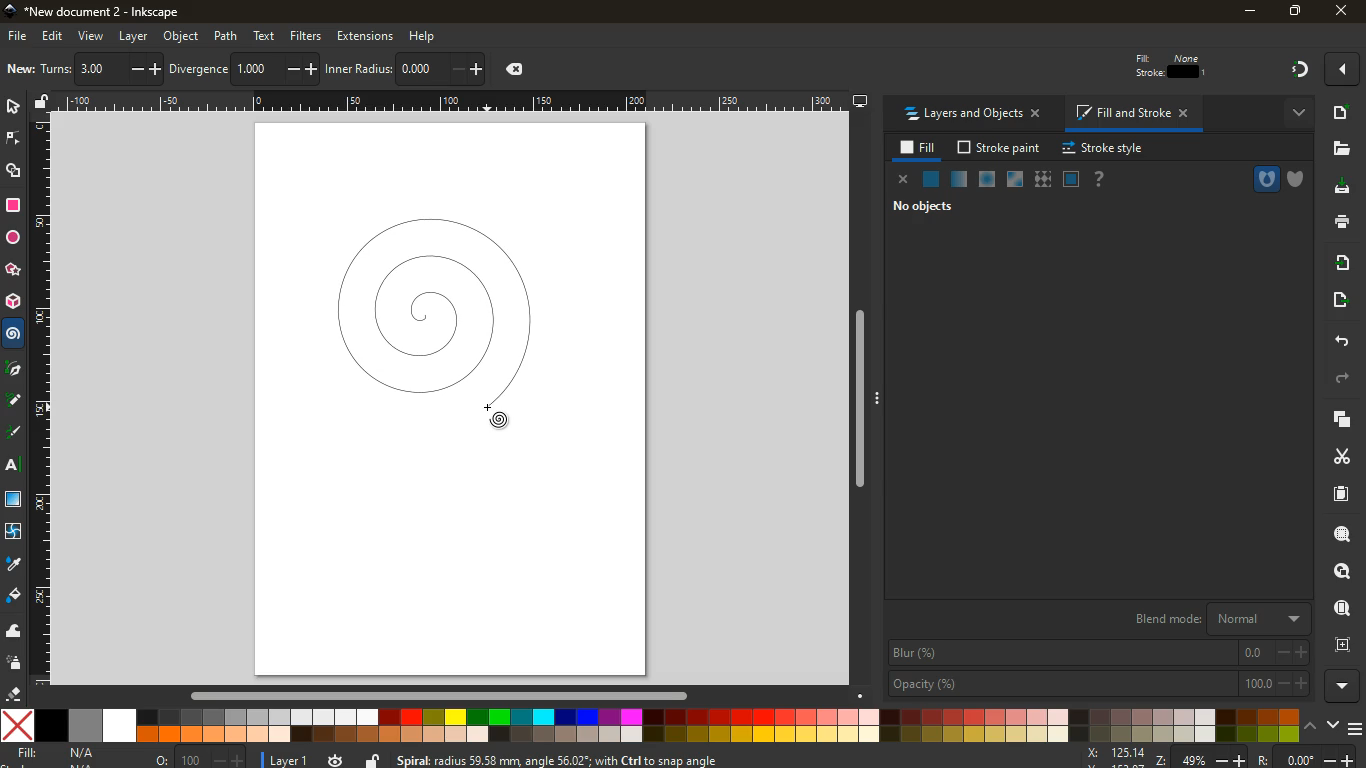 This screenshot has width=1366, height=768. What do you see at coordinates (15, 207) in the screenshot?
I see `square` at bounding box center [15, 207].